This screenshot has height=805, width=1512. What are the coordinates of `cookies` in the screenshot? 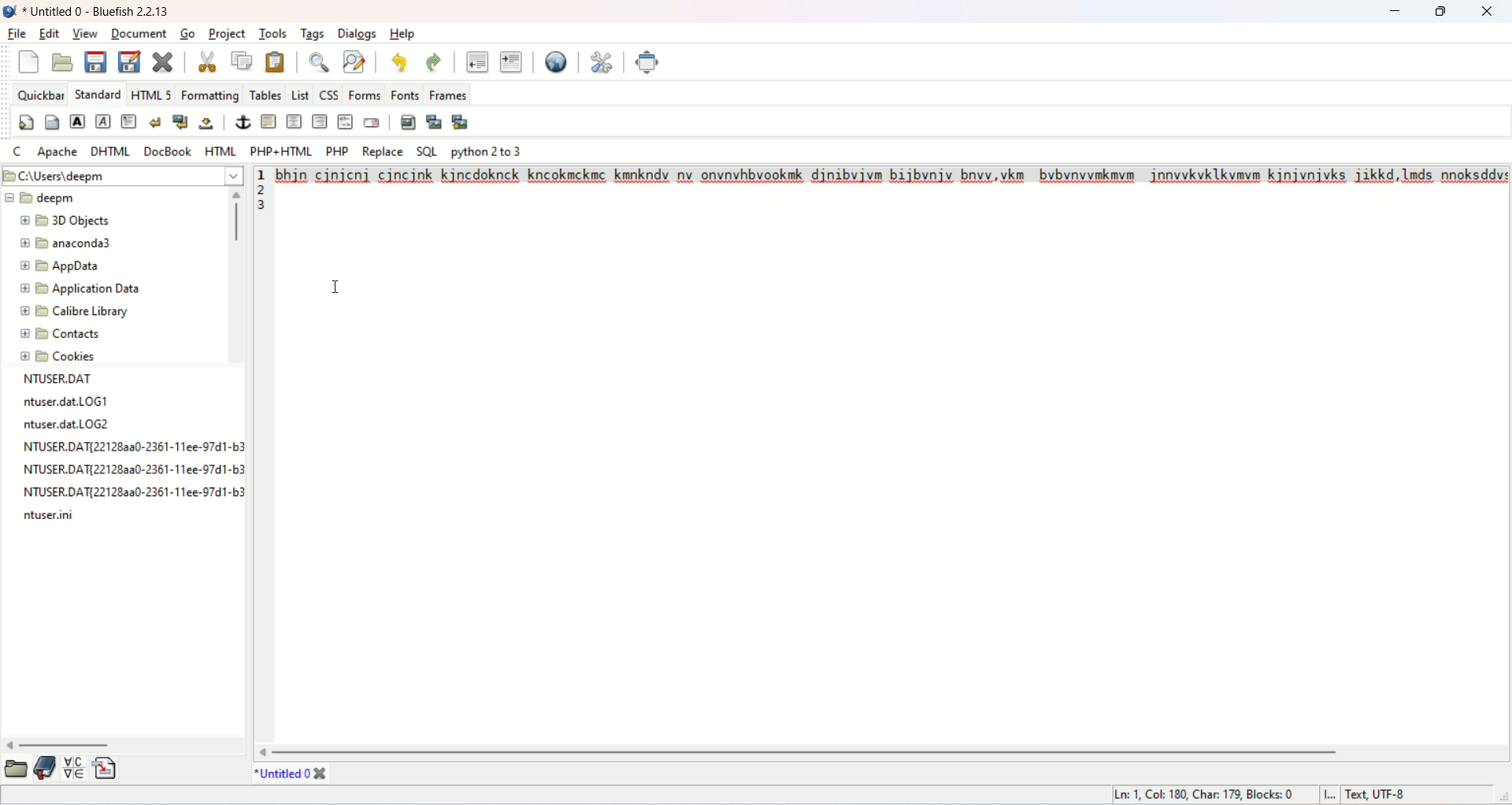 It's located at (61, 357).